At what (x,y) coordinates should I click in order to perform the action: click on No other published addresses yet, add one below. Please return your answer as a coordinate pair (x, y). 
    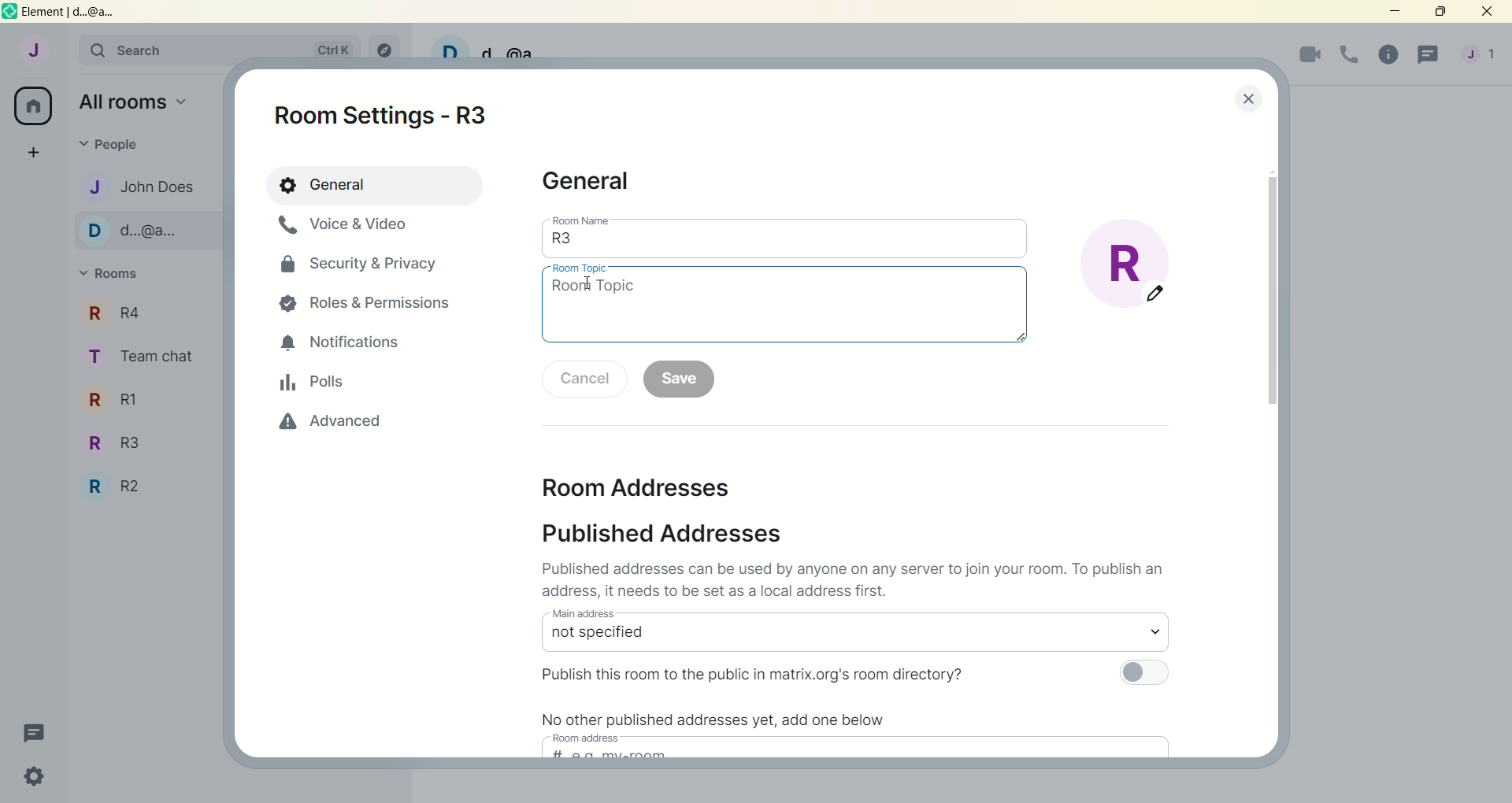
    Looking at the image, I should click on (713, 720).